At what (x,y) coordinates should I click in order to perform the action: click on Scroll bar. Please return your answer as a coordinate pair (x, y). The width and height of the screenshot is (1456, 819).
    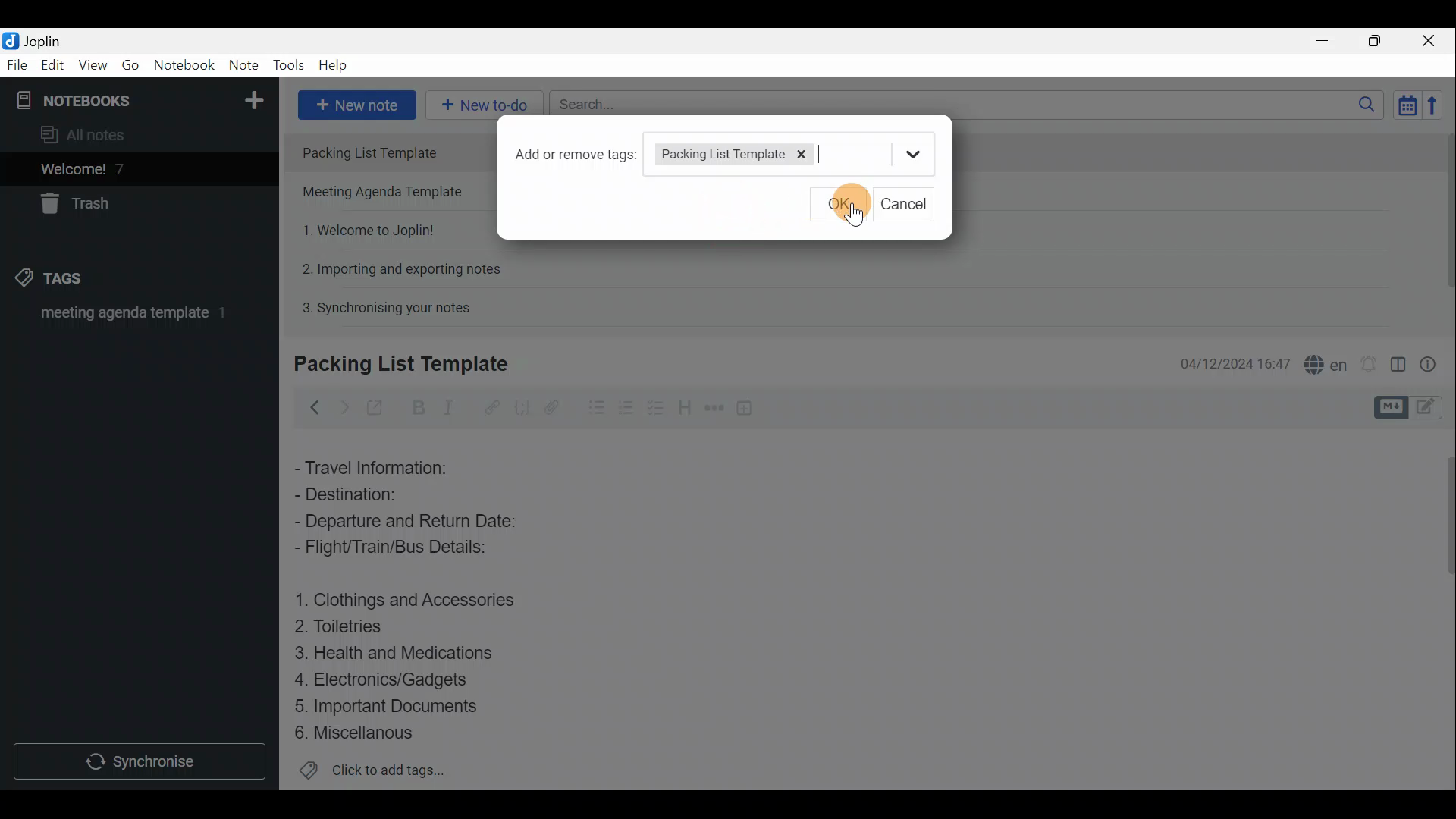
    Looking at the image, I should click on (1442, 607).